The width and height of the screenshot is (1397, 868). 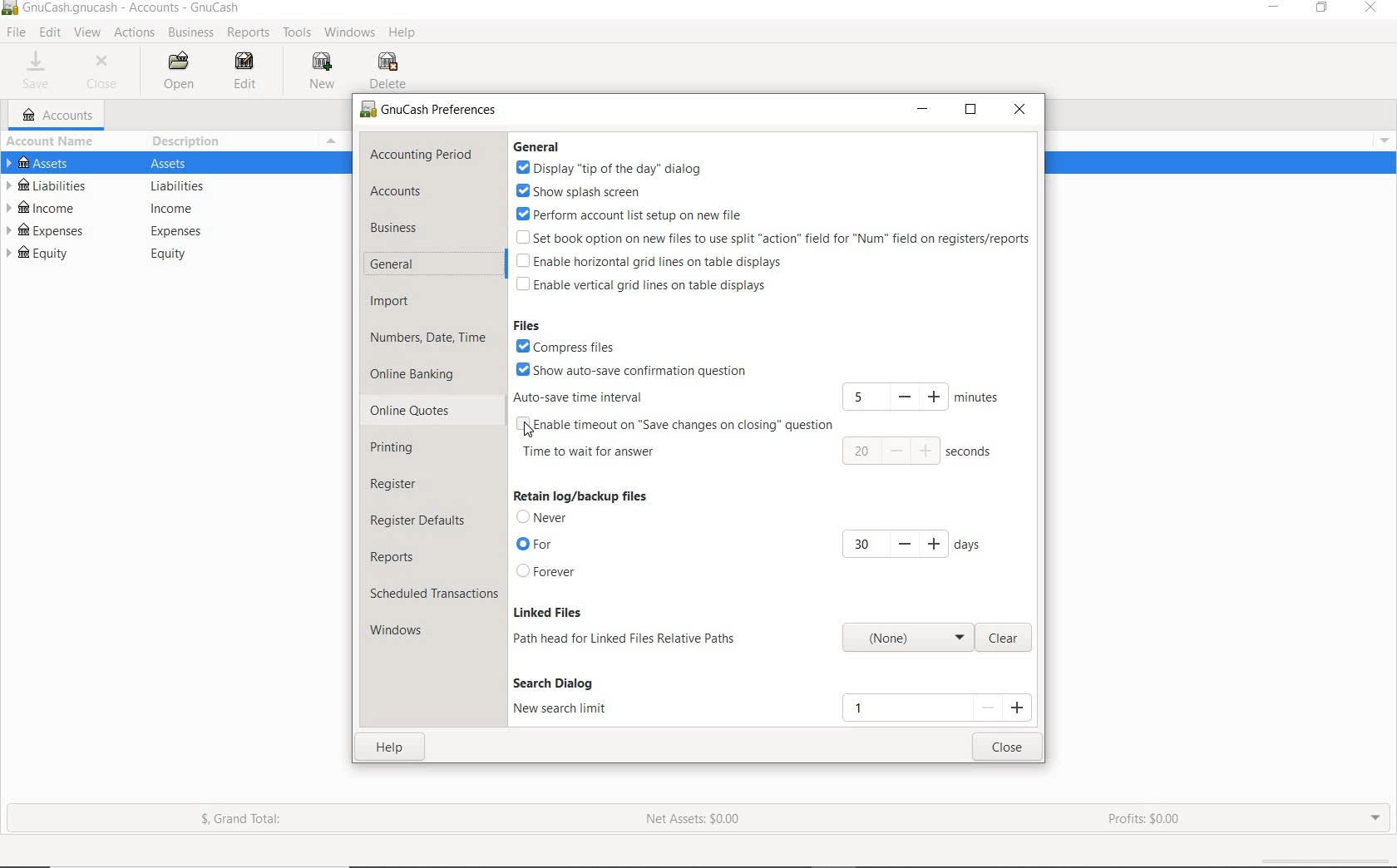 I want to click on BUSINESS, so click(x=189, y=32).